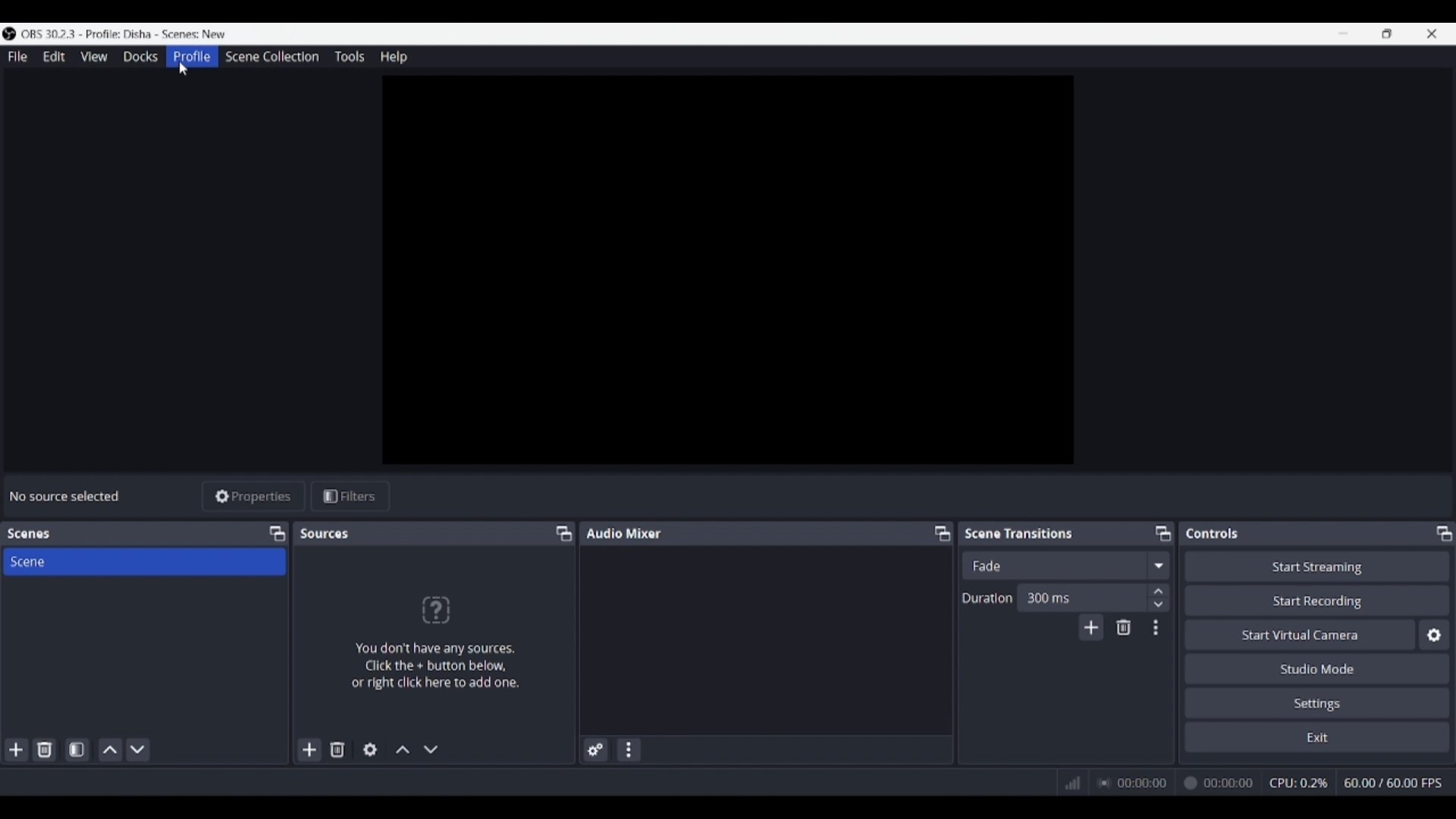 This screenshot has height=819, width=1456. What do you see at coordinates (137, 750) in the screenshot?
I see `Move scene down` at bounding box center [137, 750].